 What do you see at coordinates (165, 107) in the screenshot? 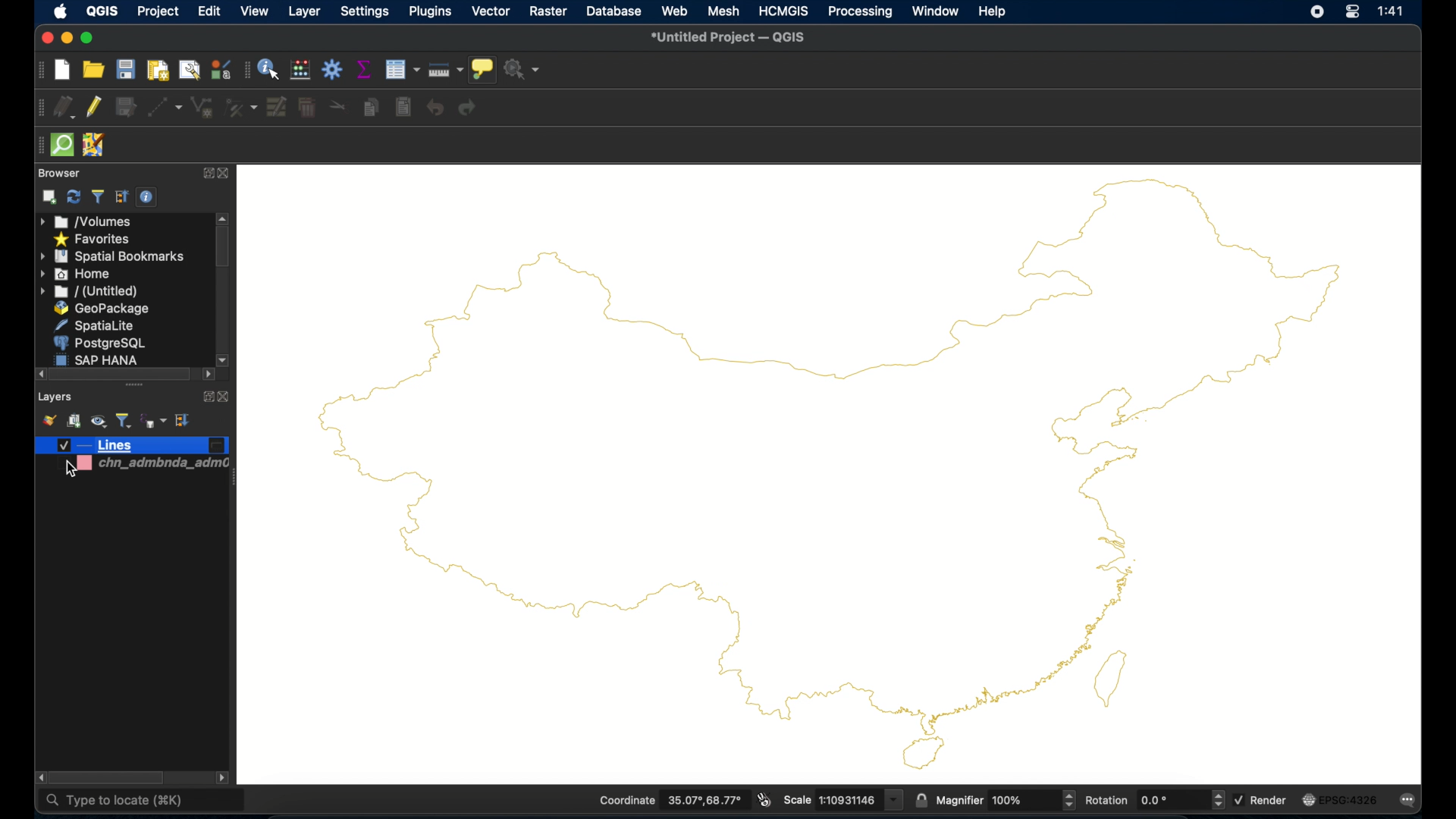
I see `digitize with segment` at bounding box center [165, 107].